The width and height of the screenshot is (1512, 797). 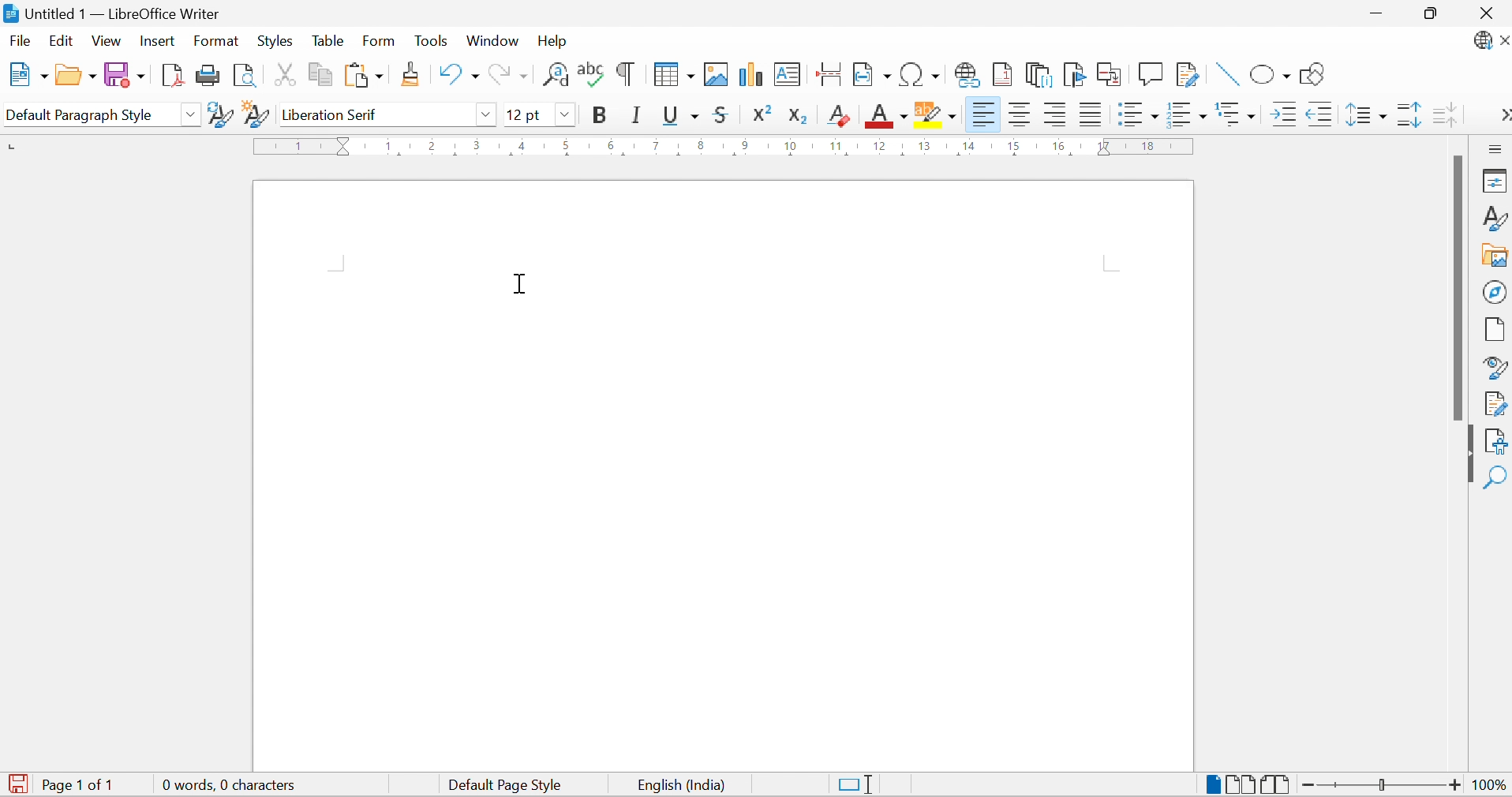 What do you see at coordinates (591, 75) in the screenshot?
I see `Check Spelling` at bounding box center [591, 75].